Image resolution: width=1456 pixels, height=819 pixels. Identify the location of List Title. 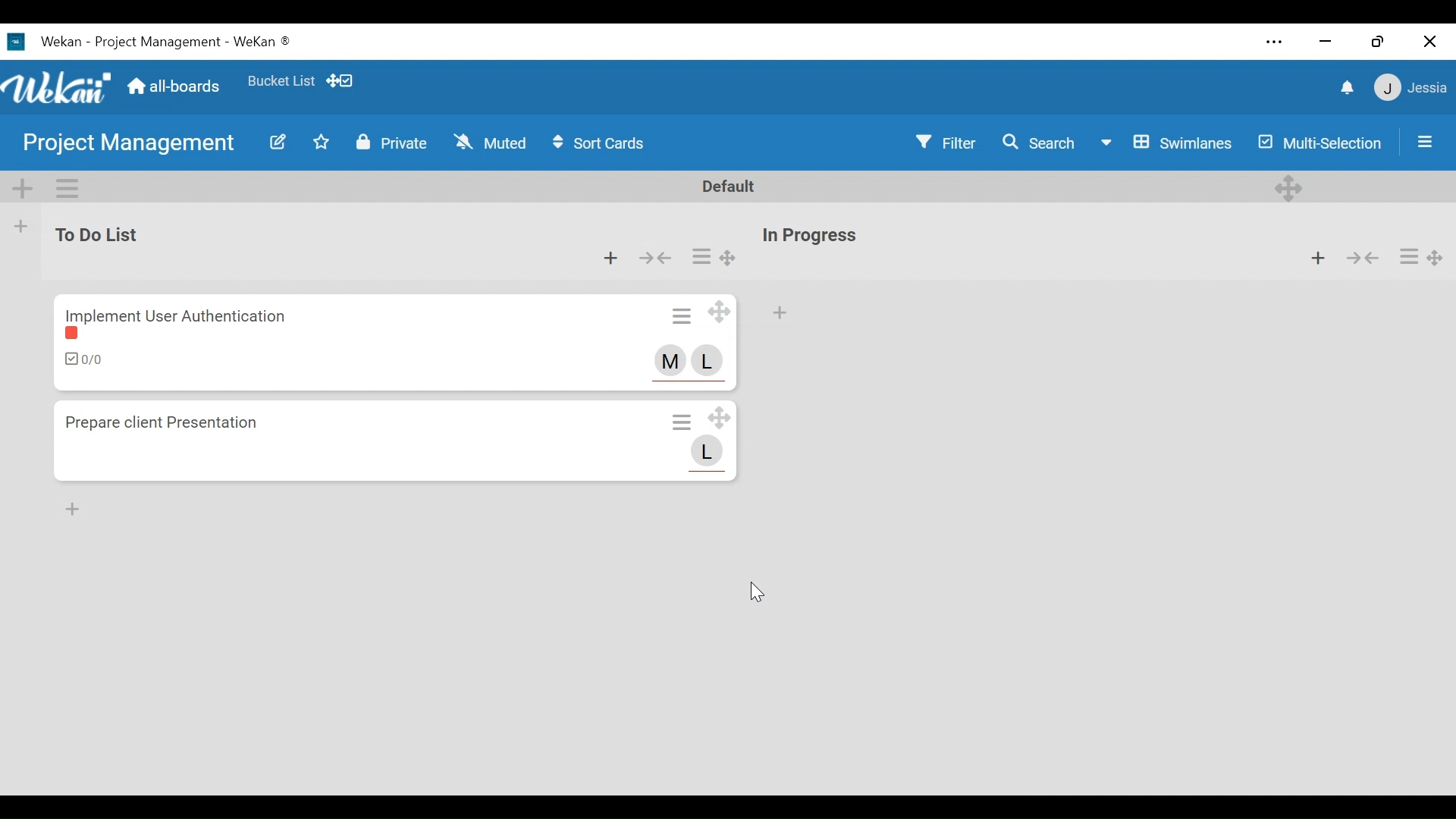
(102, 234).